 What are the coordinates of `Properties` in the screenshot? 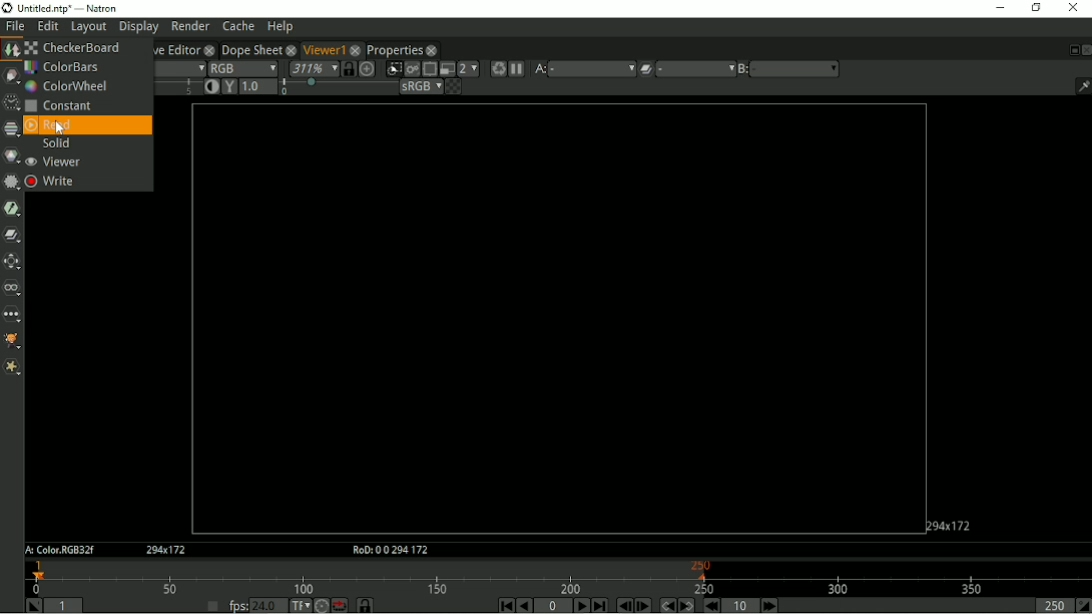 It's located at (395, 50).